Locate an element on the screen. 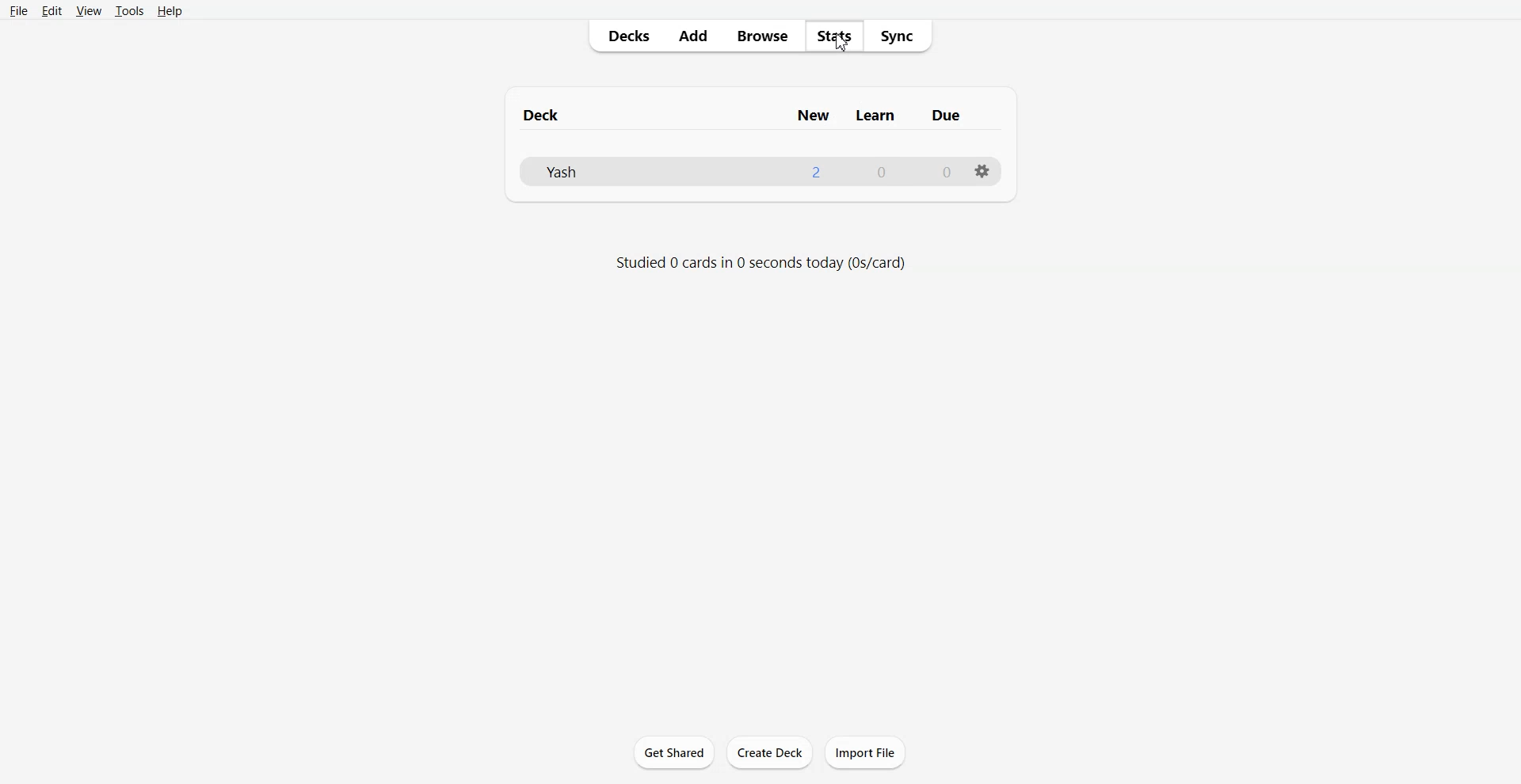  0 is located at coordinates (941, 171).